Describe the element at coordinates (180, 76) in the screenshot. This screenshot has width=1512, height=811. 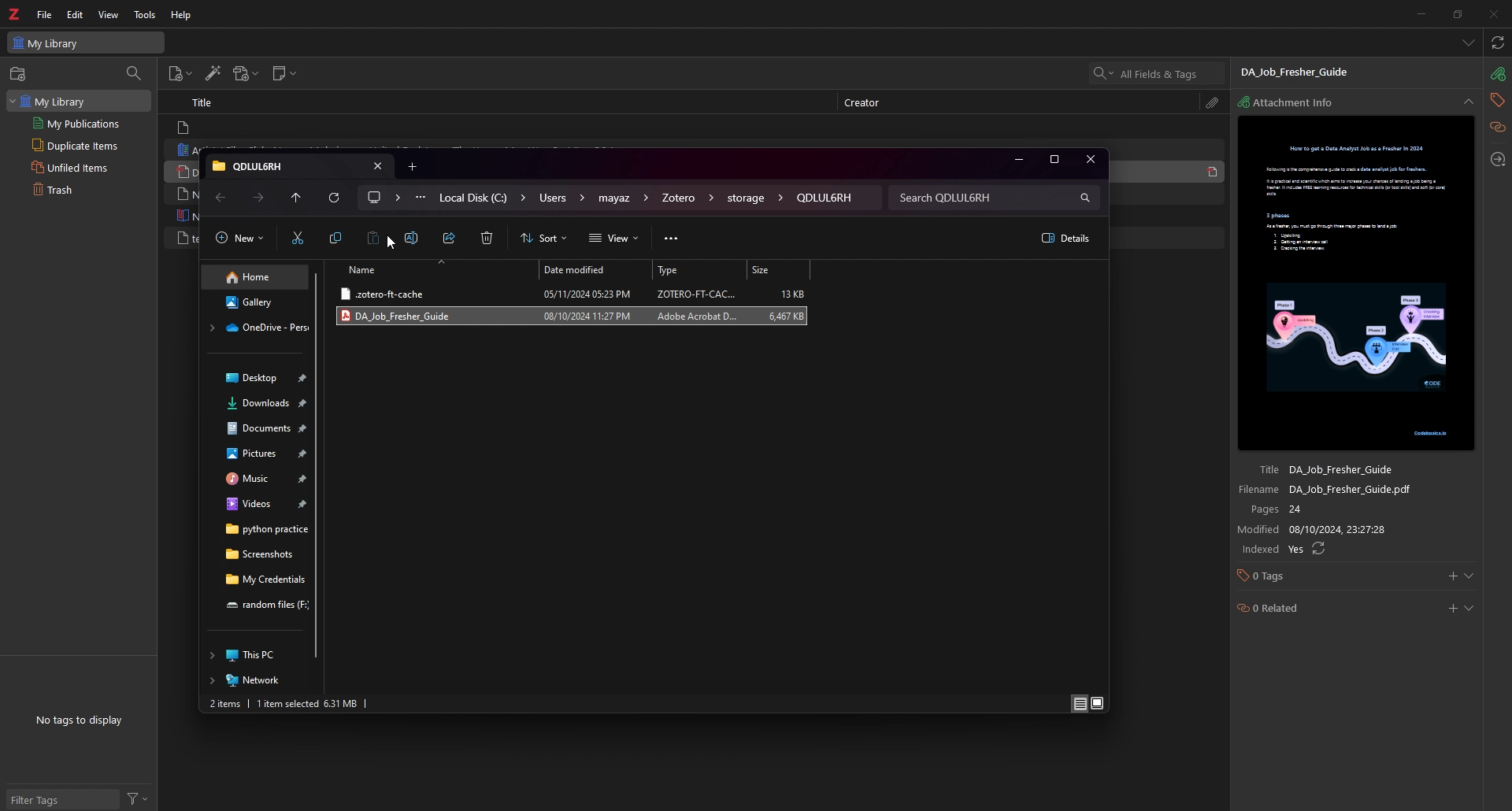
I see `new item` at that location.